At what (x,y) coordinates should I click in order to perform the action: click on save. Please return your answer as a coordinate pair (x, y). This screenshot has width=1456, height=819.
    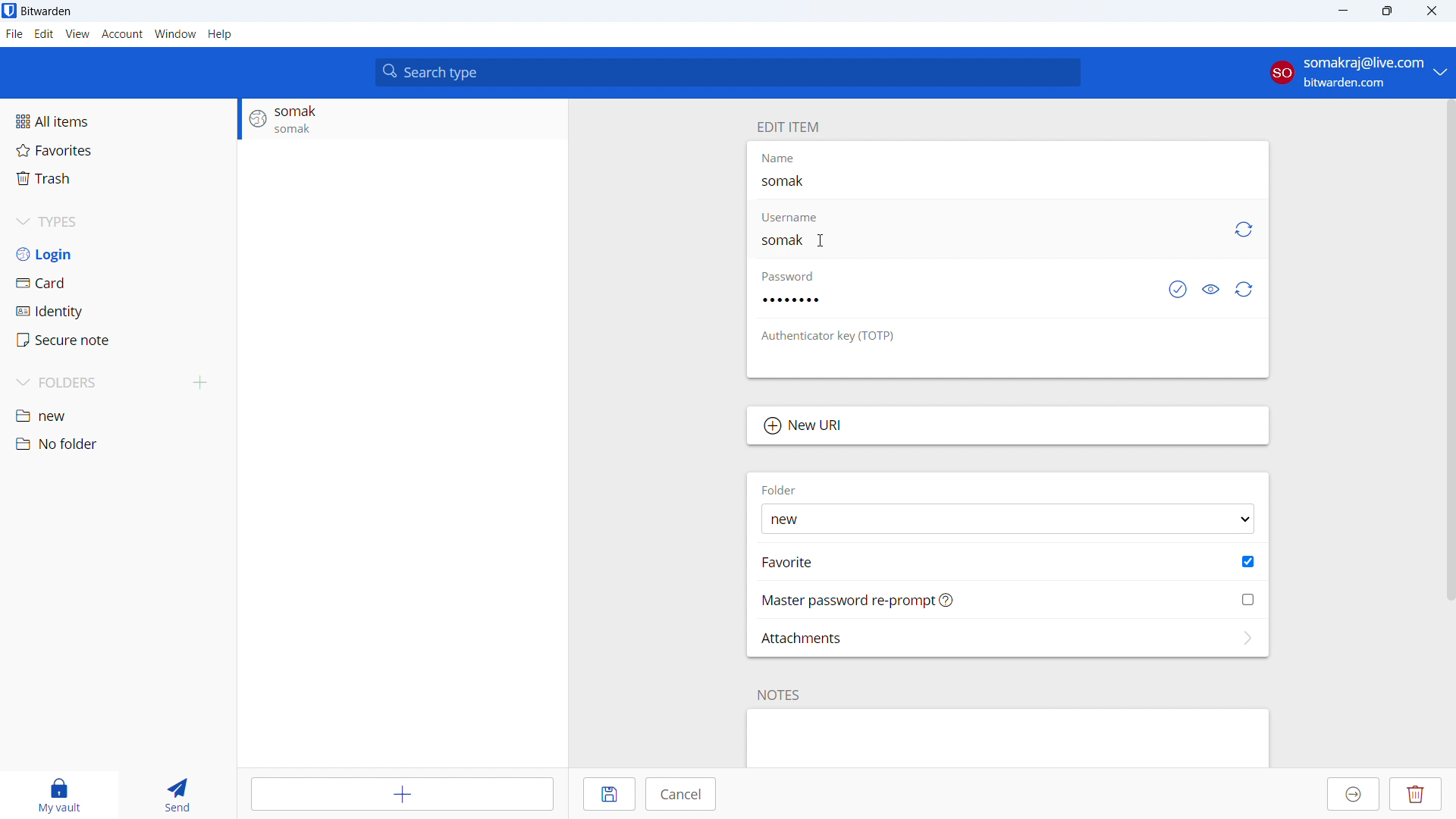
    Looking at the image, I should click on (610, 795).